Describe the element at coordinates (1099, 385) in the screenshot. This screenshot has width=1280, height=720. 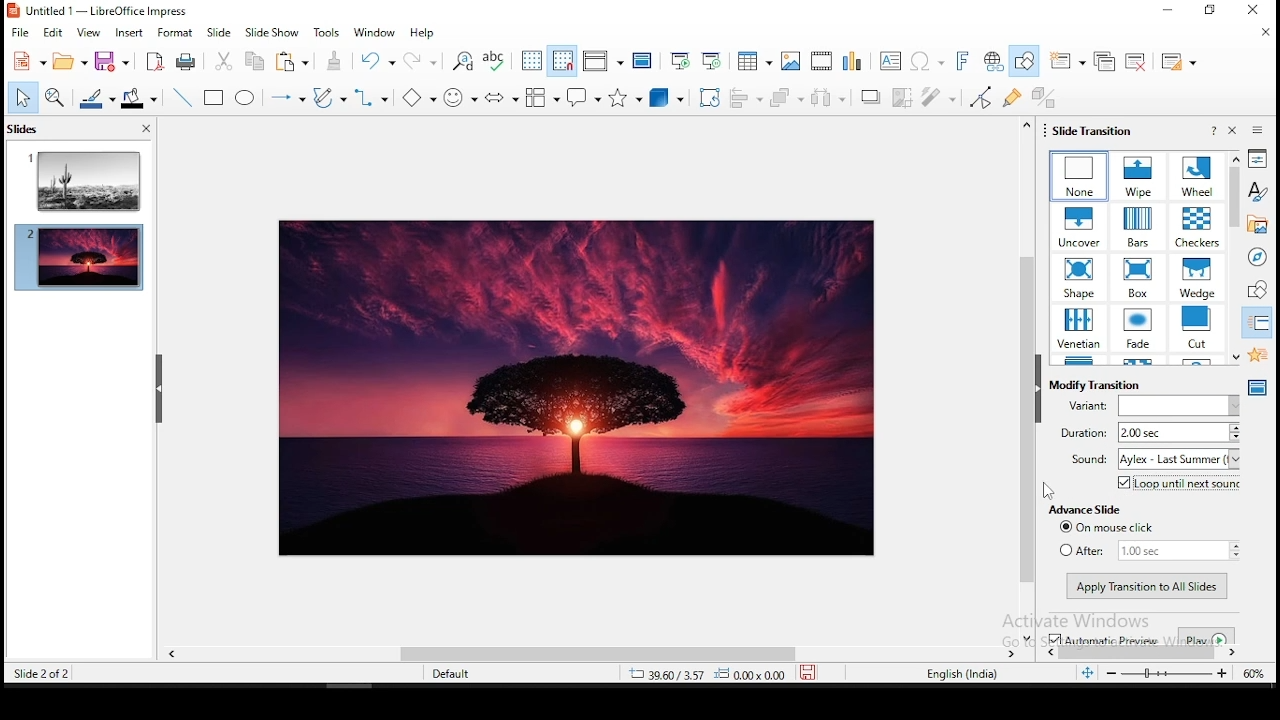
I see `modify transition` at that location.